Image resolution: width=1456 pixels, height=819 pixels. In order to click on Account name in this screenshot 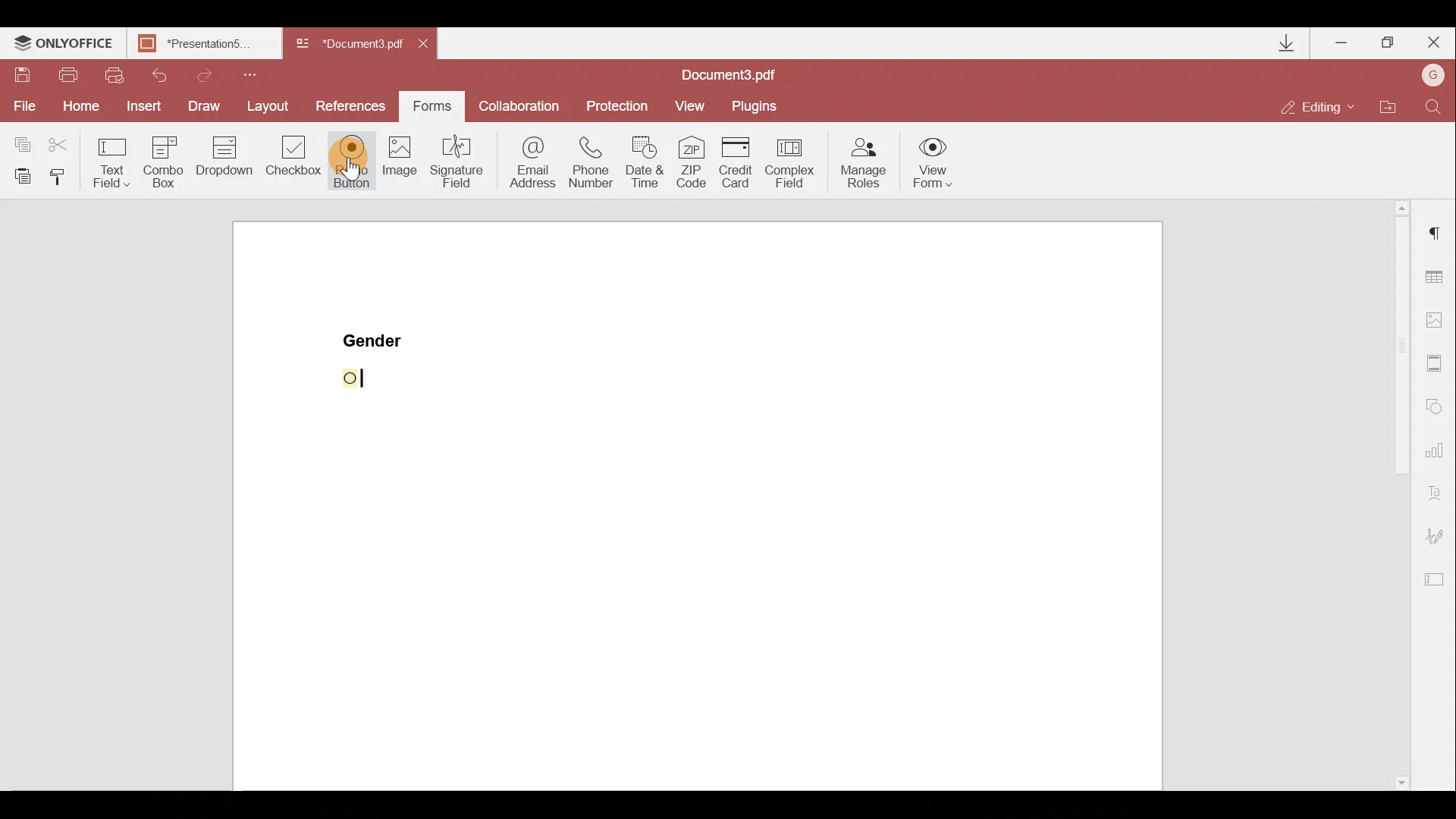, I will do `click(1433, 75)`.